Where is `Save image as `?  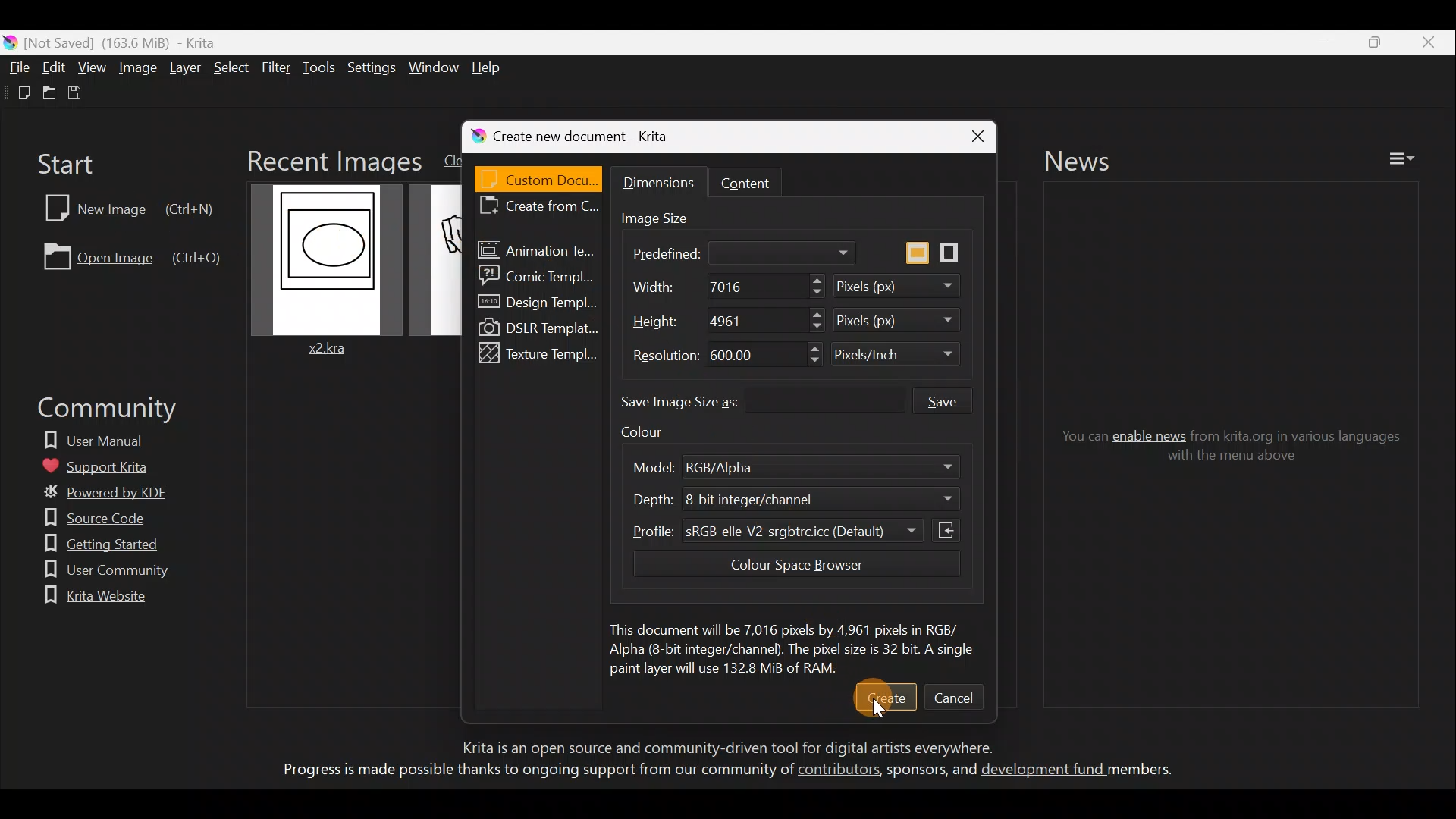
Save image as  is located at coordinates (764, 403).